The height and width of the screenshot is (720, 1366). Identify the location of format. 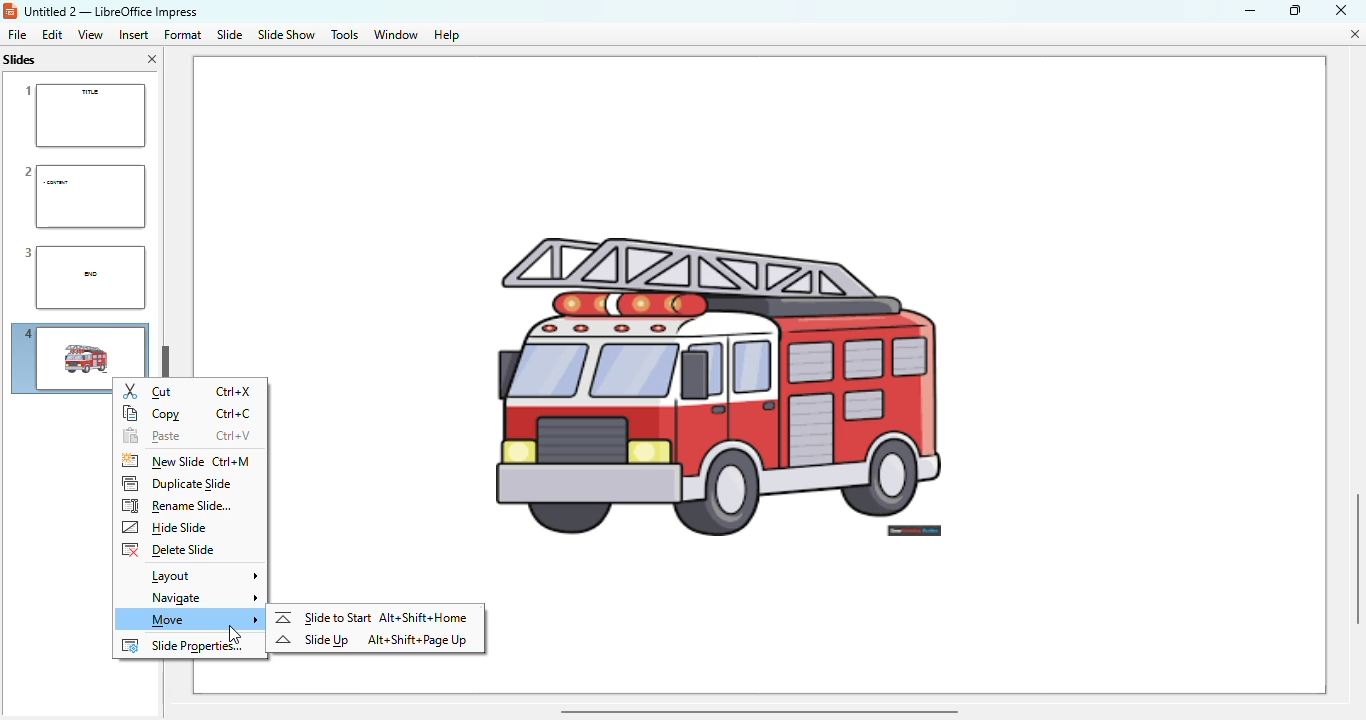
(182, 34).